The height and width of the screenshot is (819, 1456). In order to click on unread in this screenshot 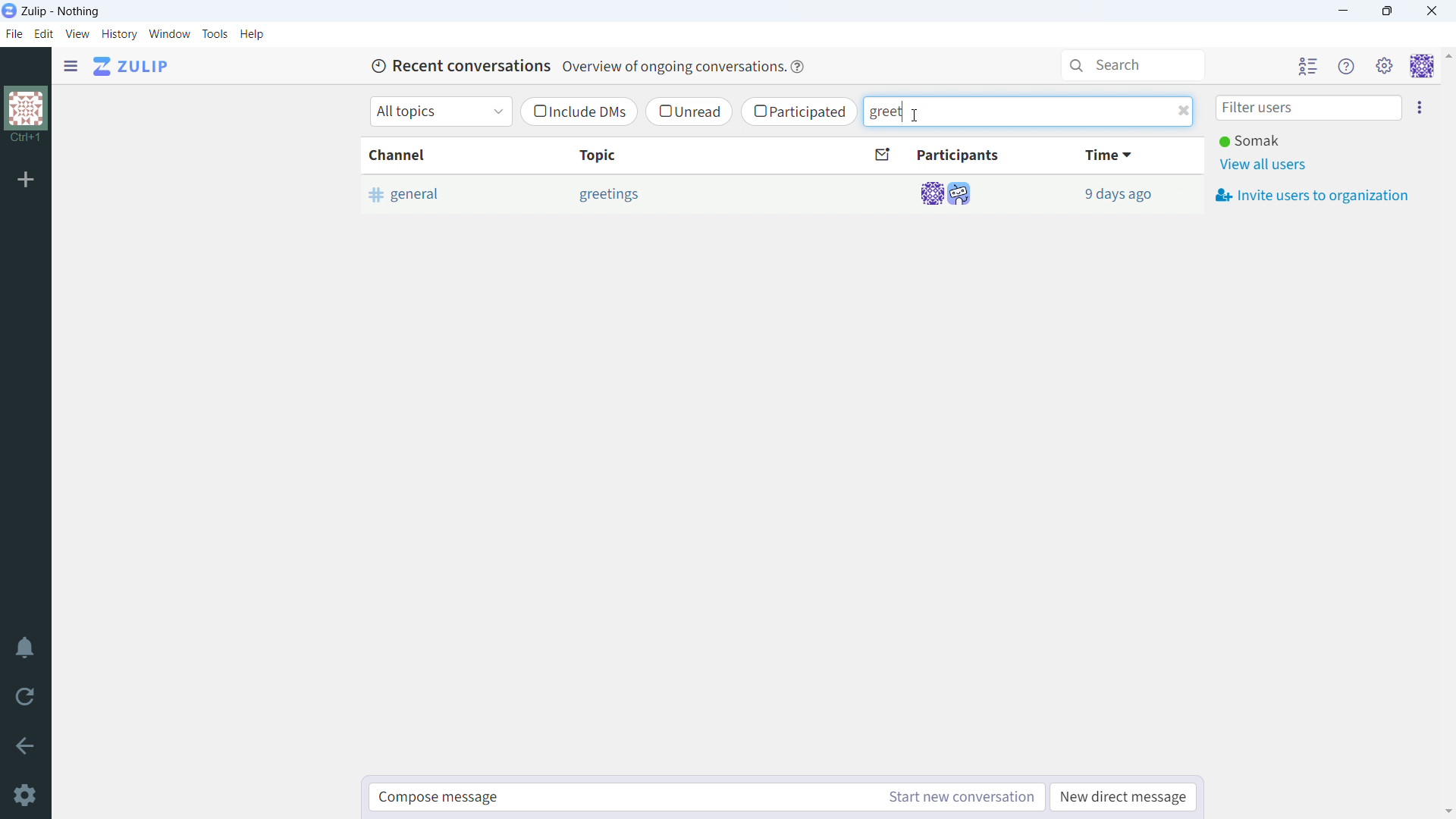, I will do `click(689, 111)`.